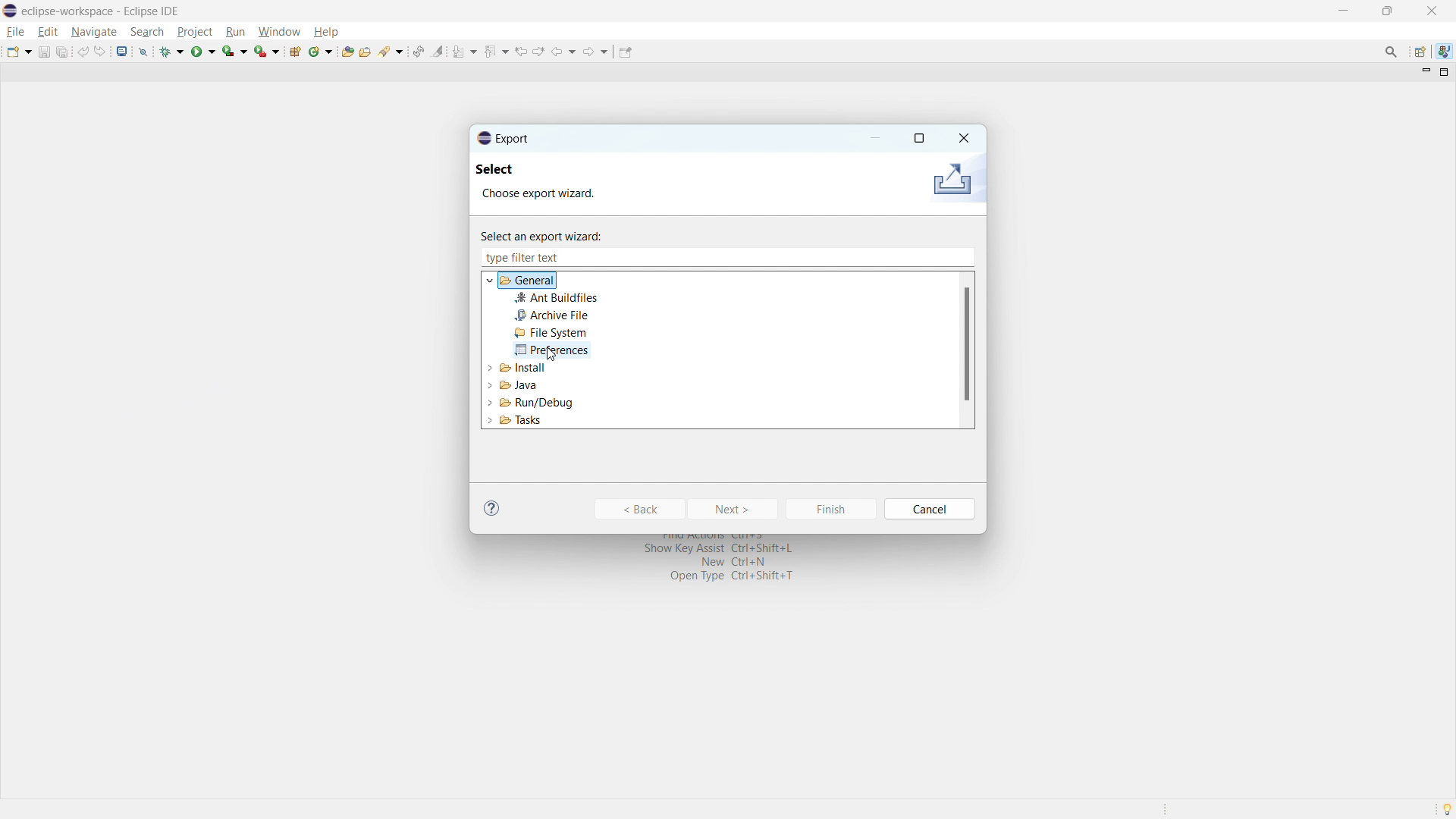 The width and height of the screenshot is (1456, 819). I want to click on Select, so click(508, 171).